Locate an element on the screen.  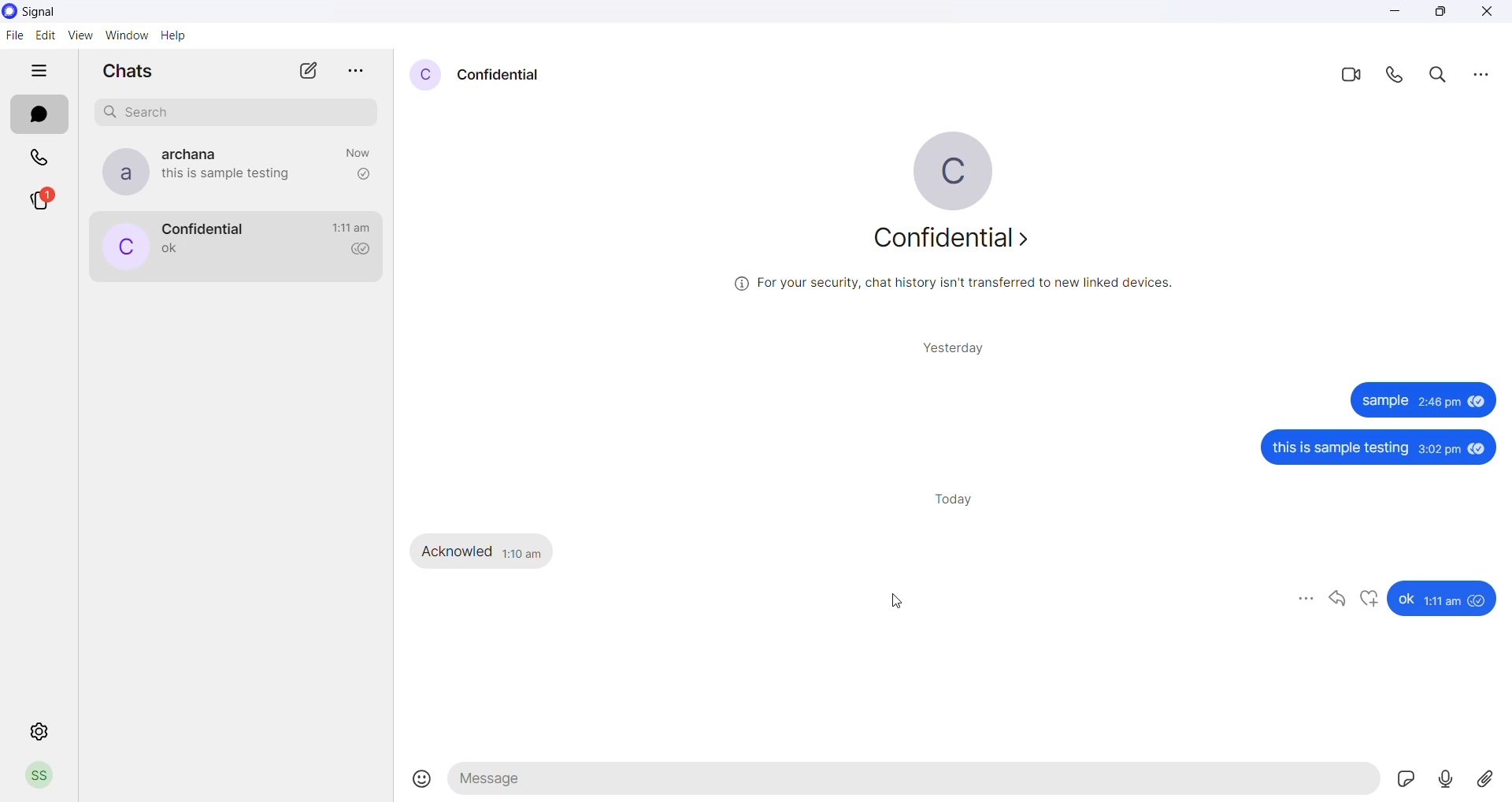
stories is located at coordinates (50, 201).